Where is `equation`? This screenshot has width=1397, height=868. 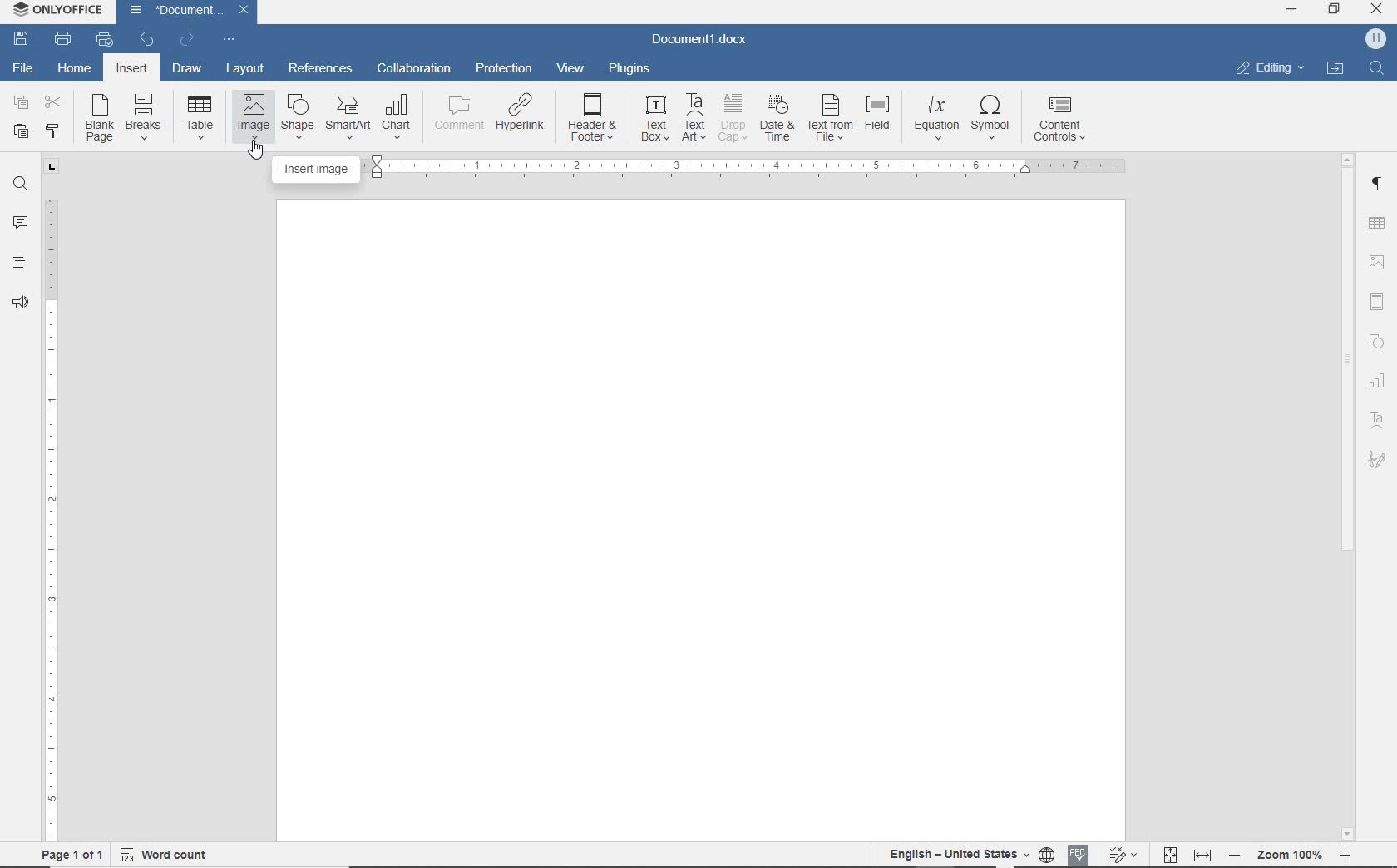
equation is located at coordinates (935, 116).